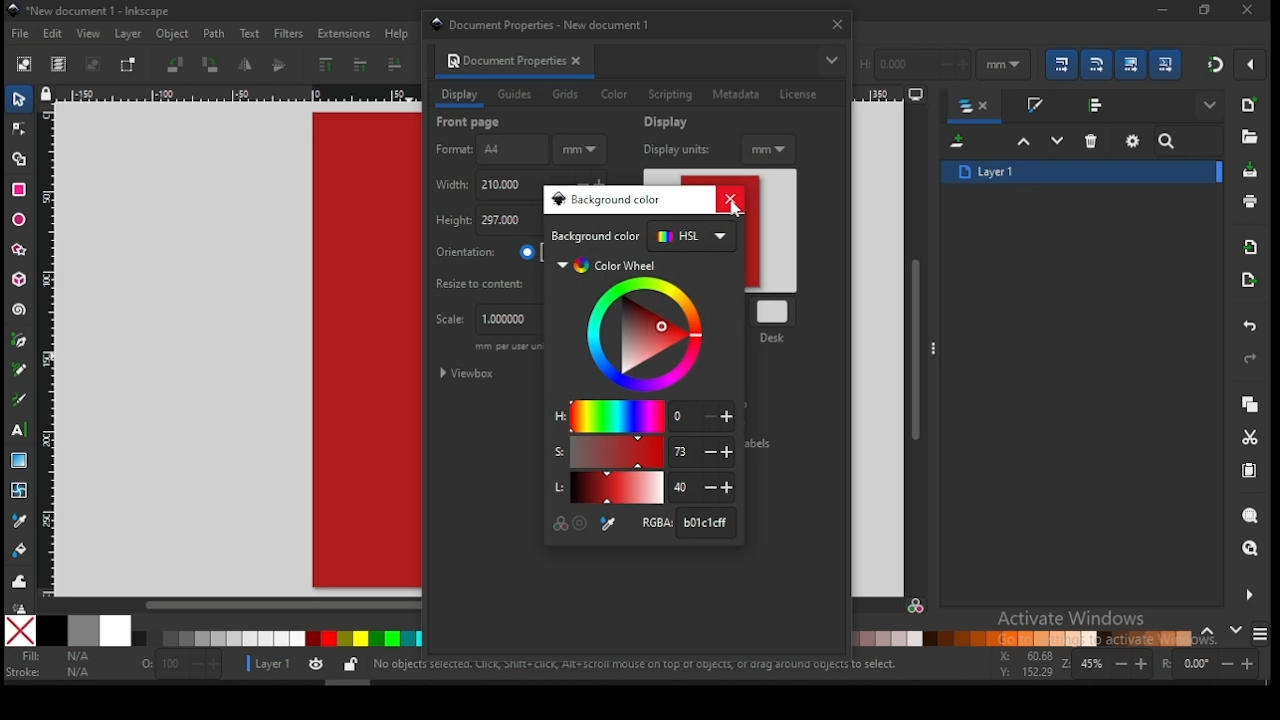 This screenshot has height=720, width=1280. What do you see at coordinates (933, 347) in the screenshot?
I see `more options` at bounding box center [933, 347].